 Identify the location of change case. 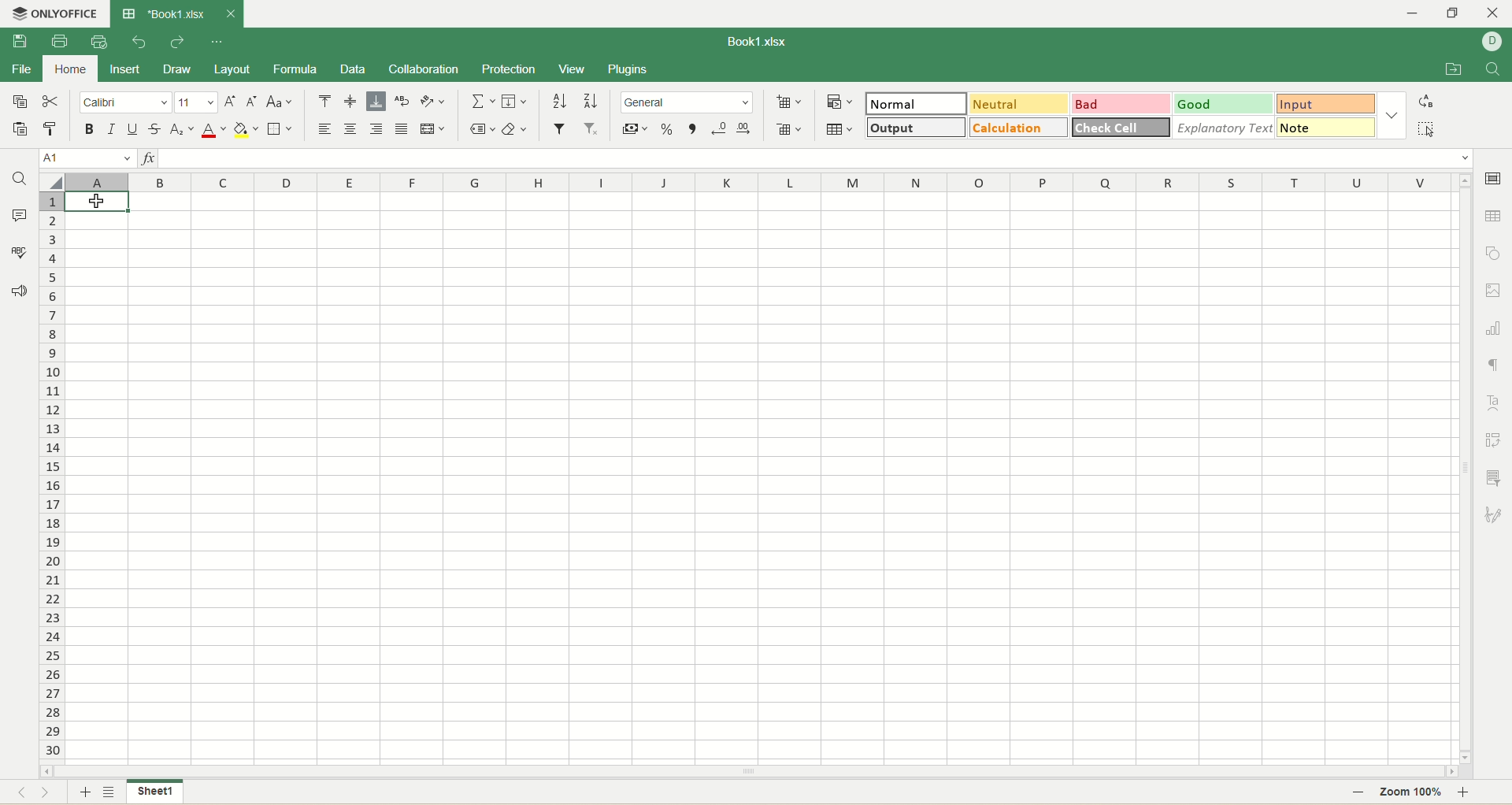
(280, 102).